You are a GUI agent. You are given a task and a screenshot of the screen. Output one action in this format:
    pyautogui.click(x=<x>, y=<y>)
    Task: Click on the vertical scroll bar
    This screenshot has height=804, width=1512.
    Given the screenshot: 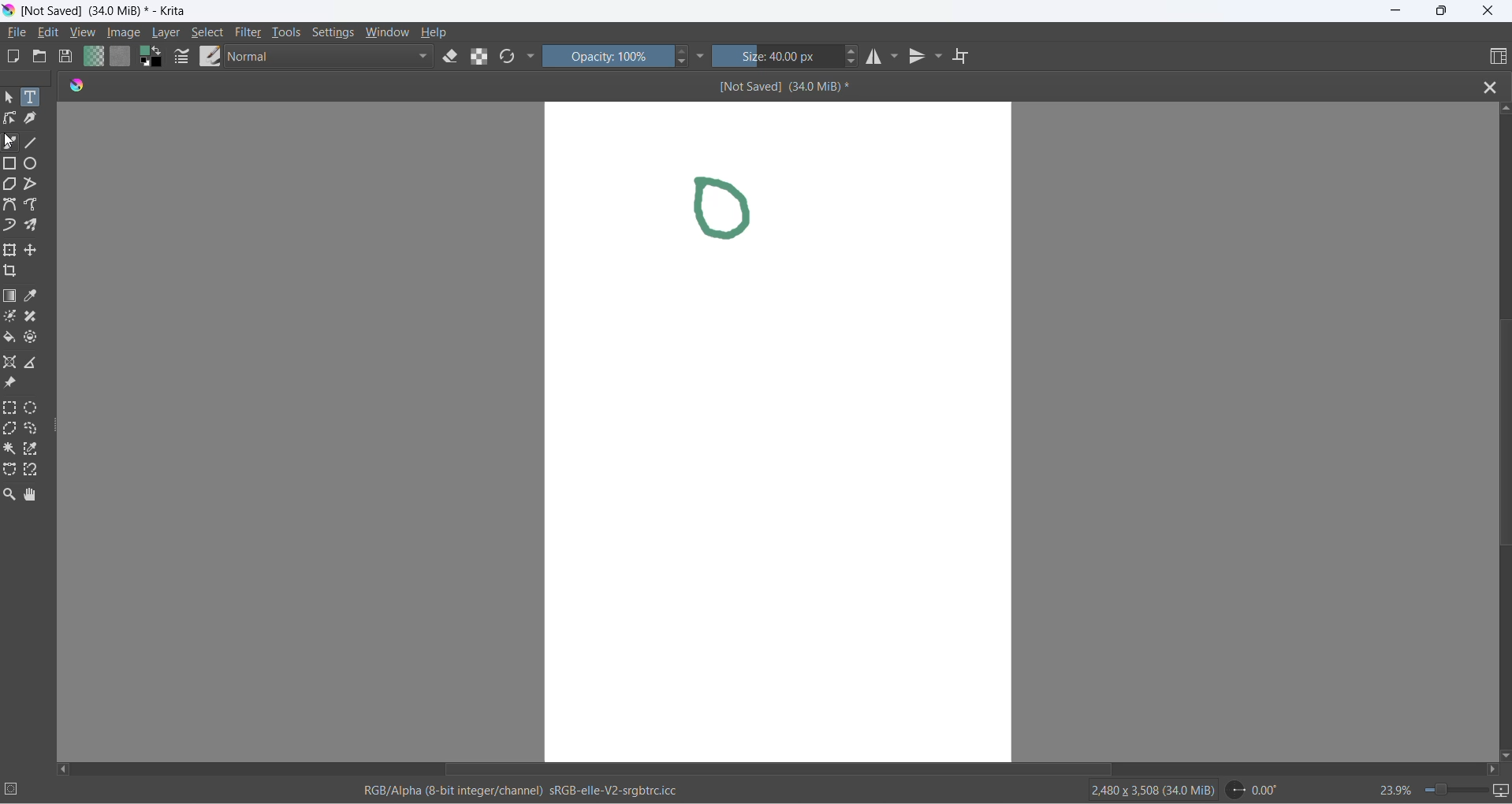 What is the action you would take?
    pyautogui.click(x=1499, y=446)
    